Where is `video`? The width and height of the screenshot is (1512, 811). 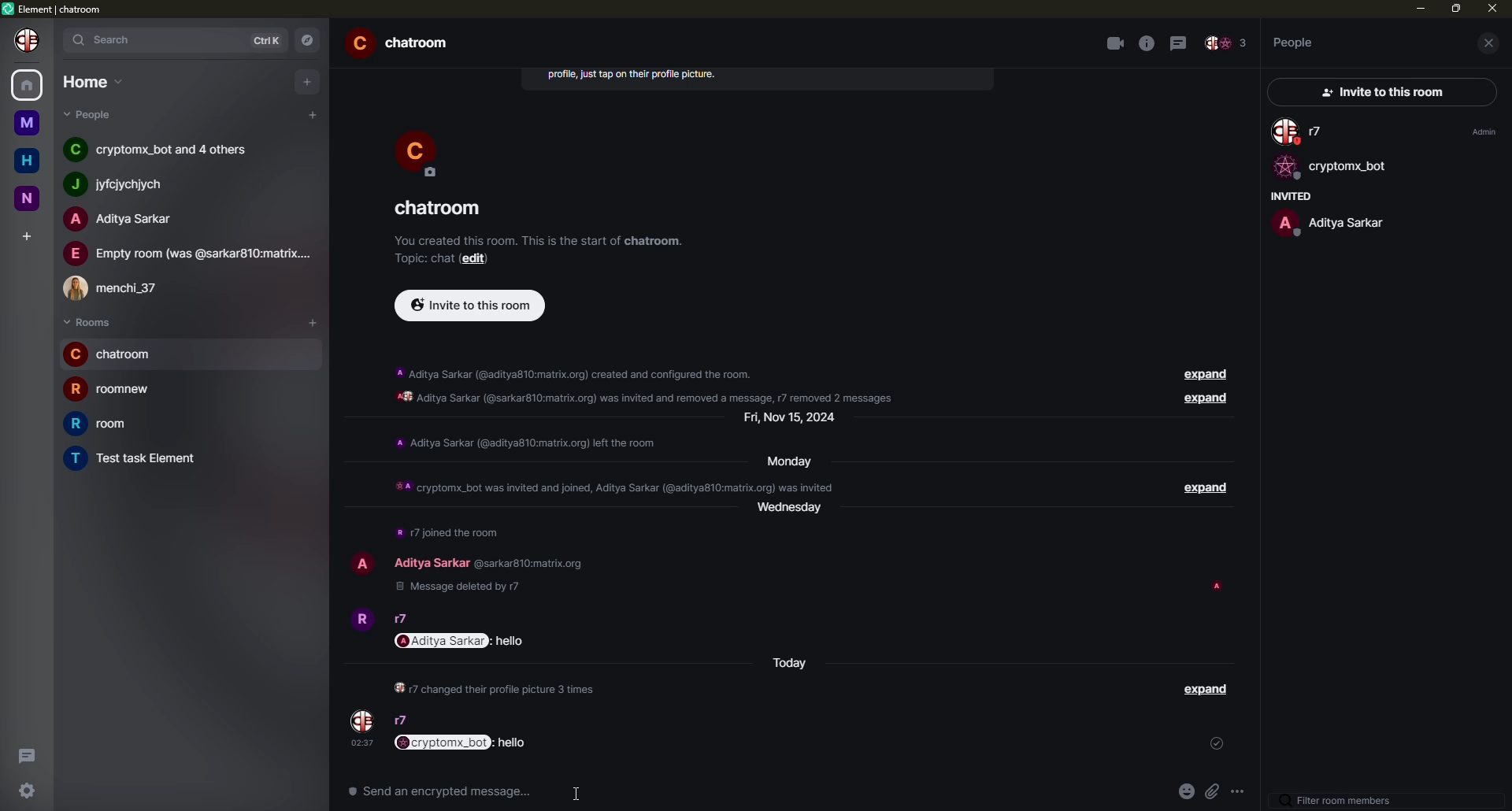 video is located at coordinates (1114, 43).